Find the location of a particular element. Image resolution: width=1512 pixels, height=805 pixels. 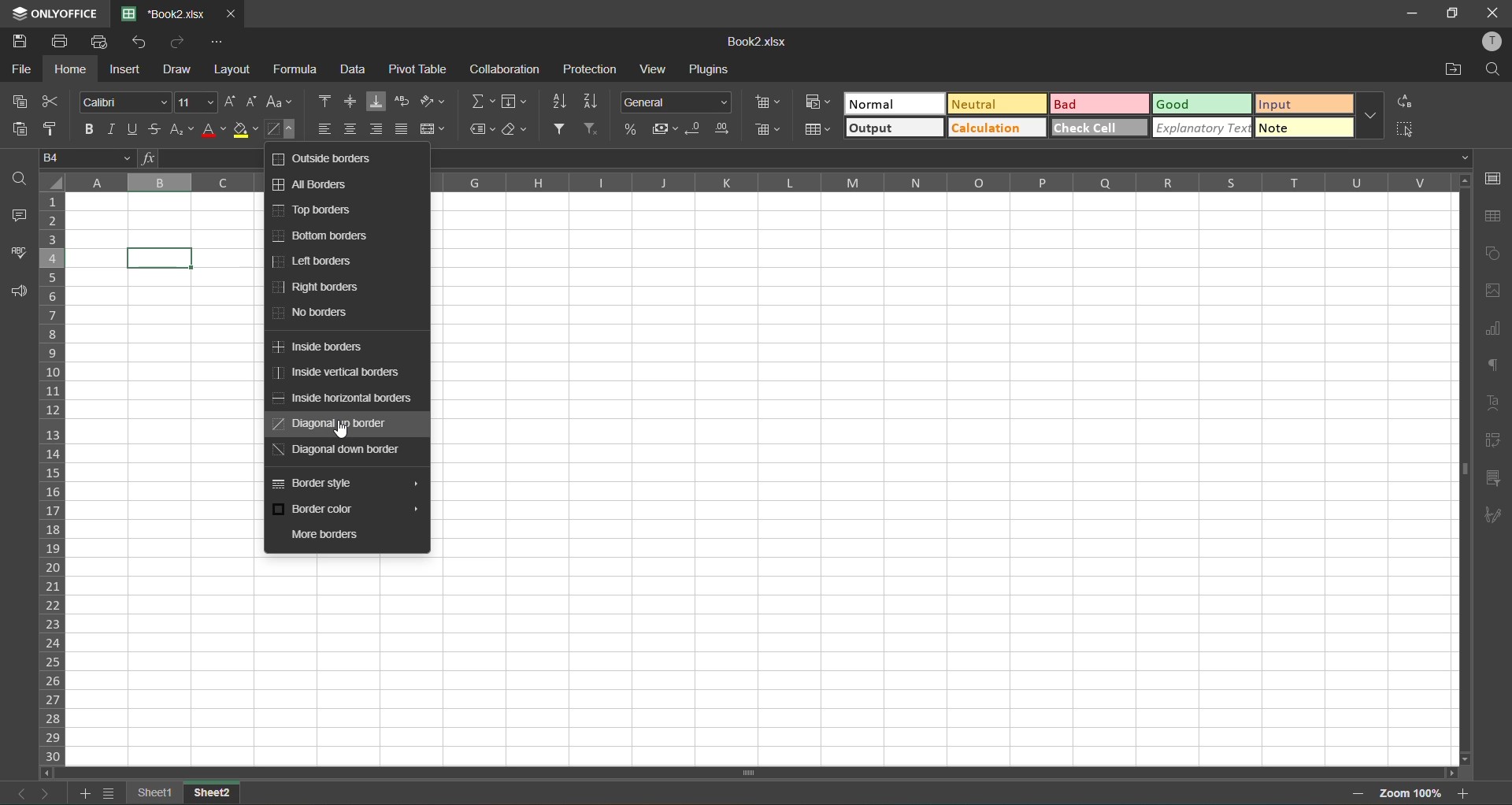

save is located at coordinates (18, 43).